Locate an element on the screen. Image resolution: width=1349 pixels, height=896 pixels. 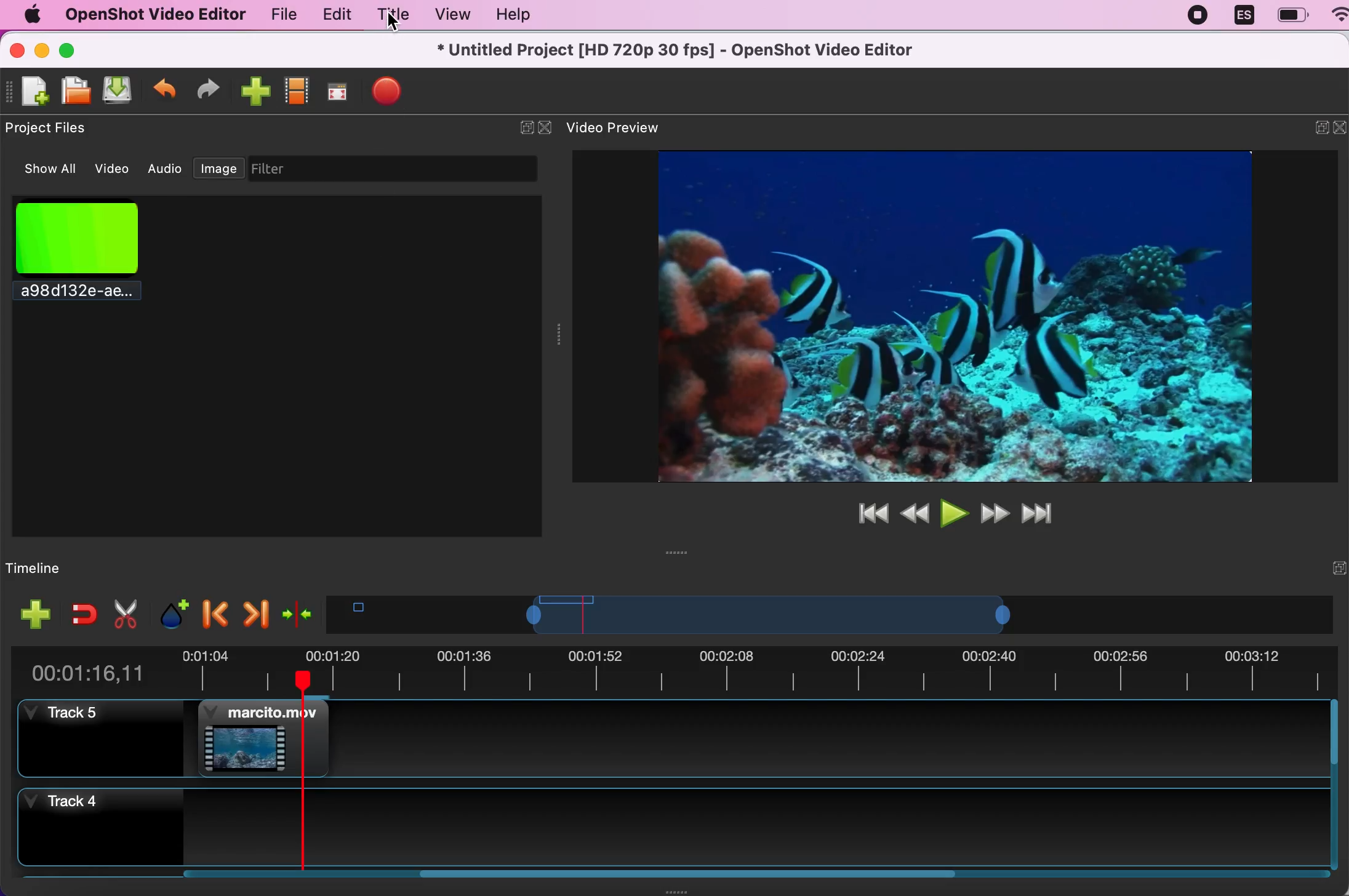
image is located at coordinates (219, 166).